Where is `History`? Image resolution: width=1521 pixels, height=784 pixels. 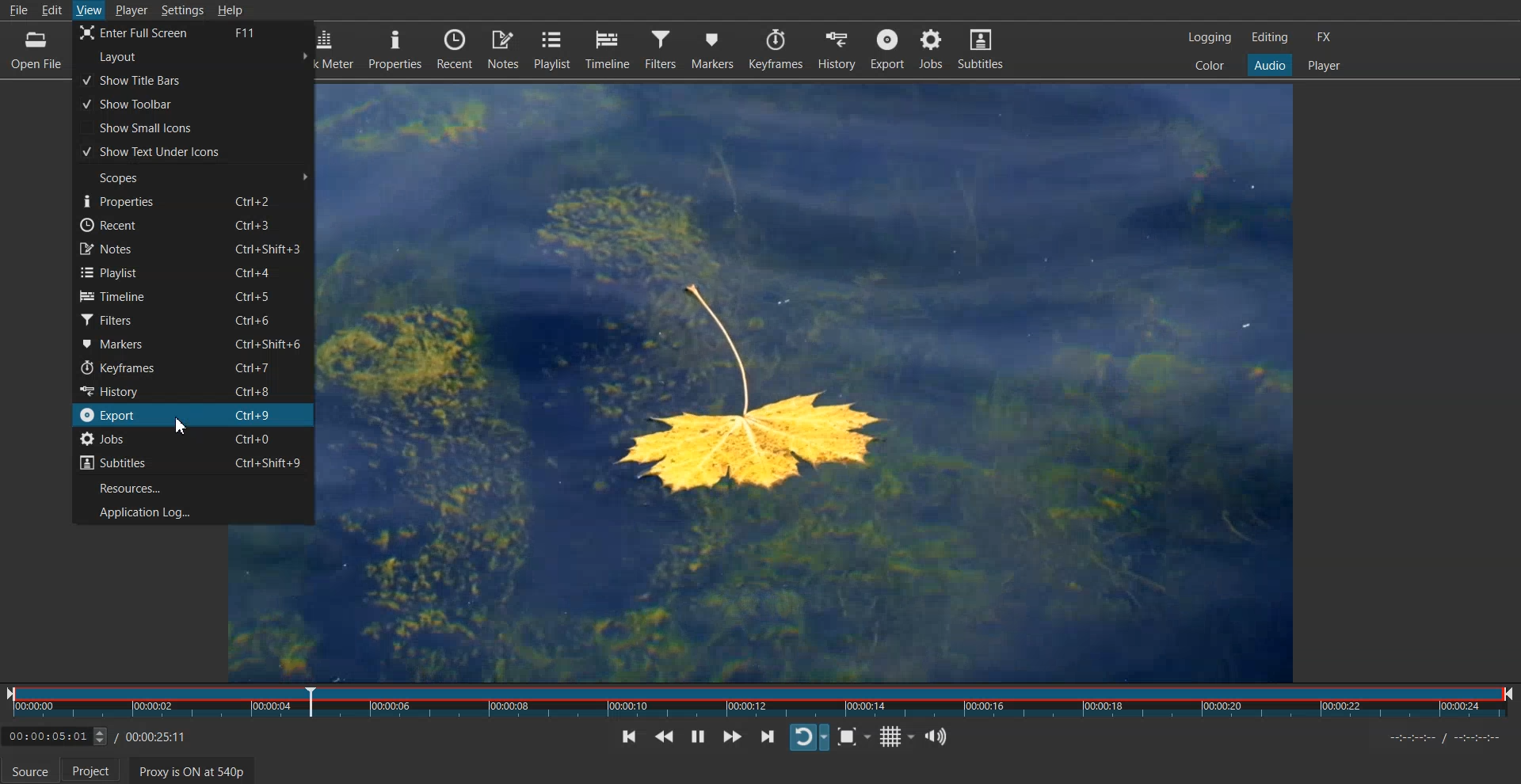
History is located at coordinates (192, 390).